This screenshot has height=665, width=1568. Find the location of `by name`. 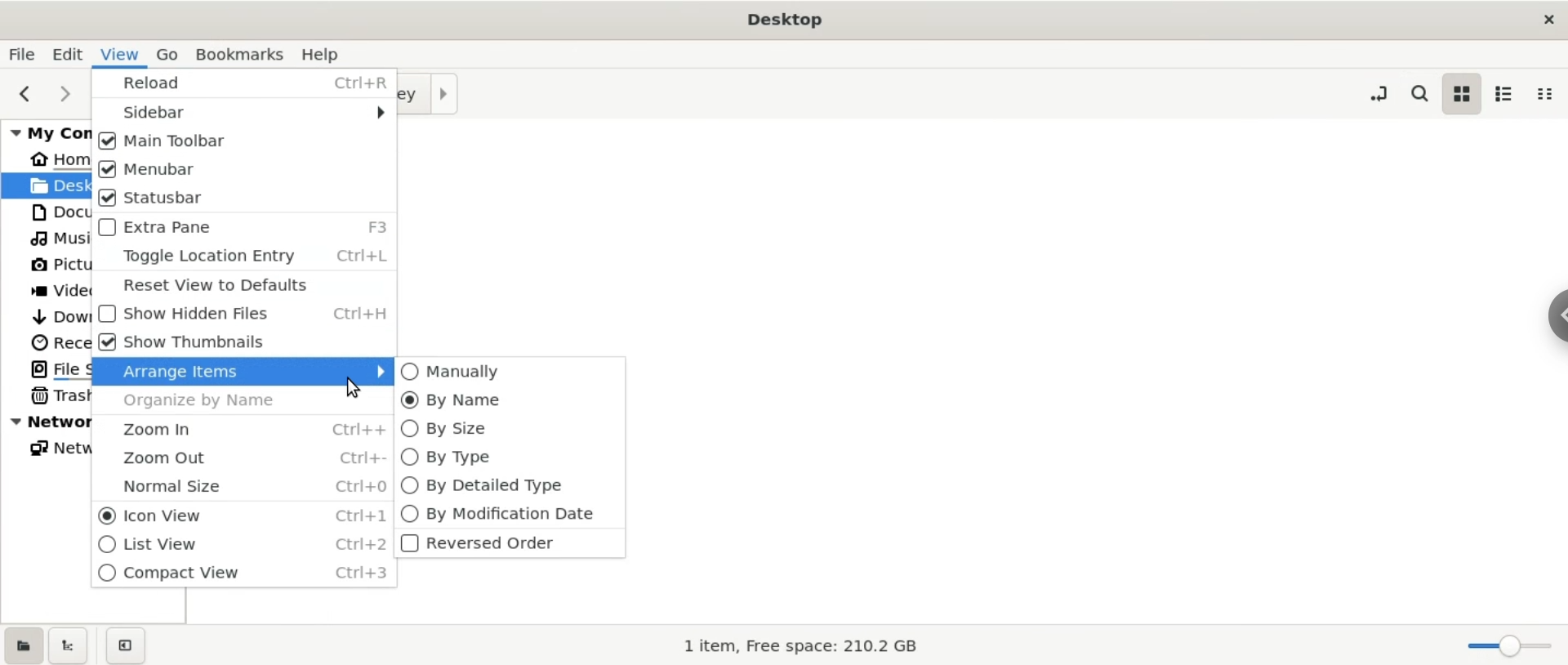

by name is located at coordinates (505, 395).